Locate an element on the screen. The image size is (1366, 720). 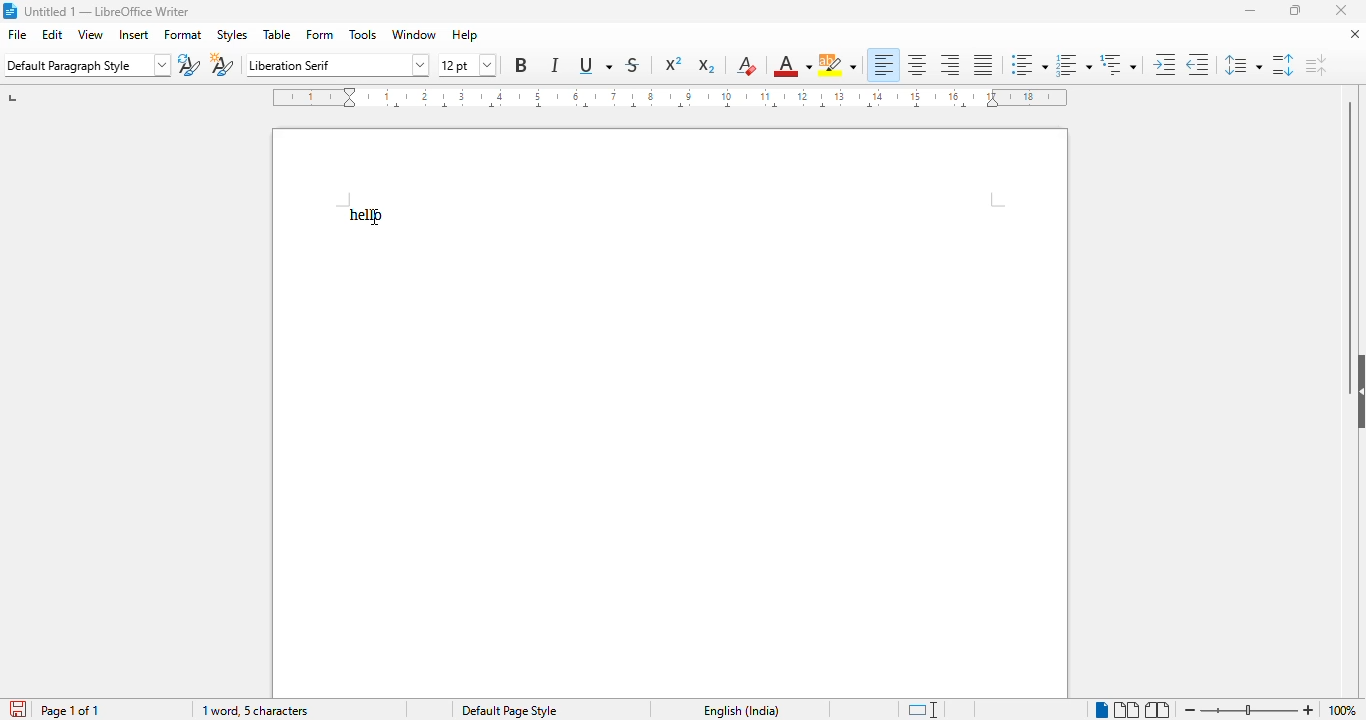
zoom factor is located at coordinates (1343, 710).